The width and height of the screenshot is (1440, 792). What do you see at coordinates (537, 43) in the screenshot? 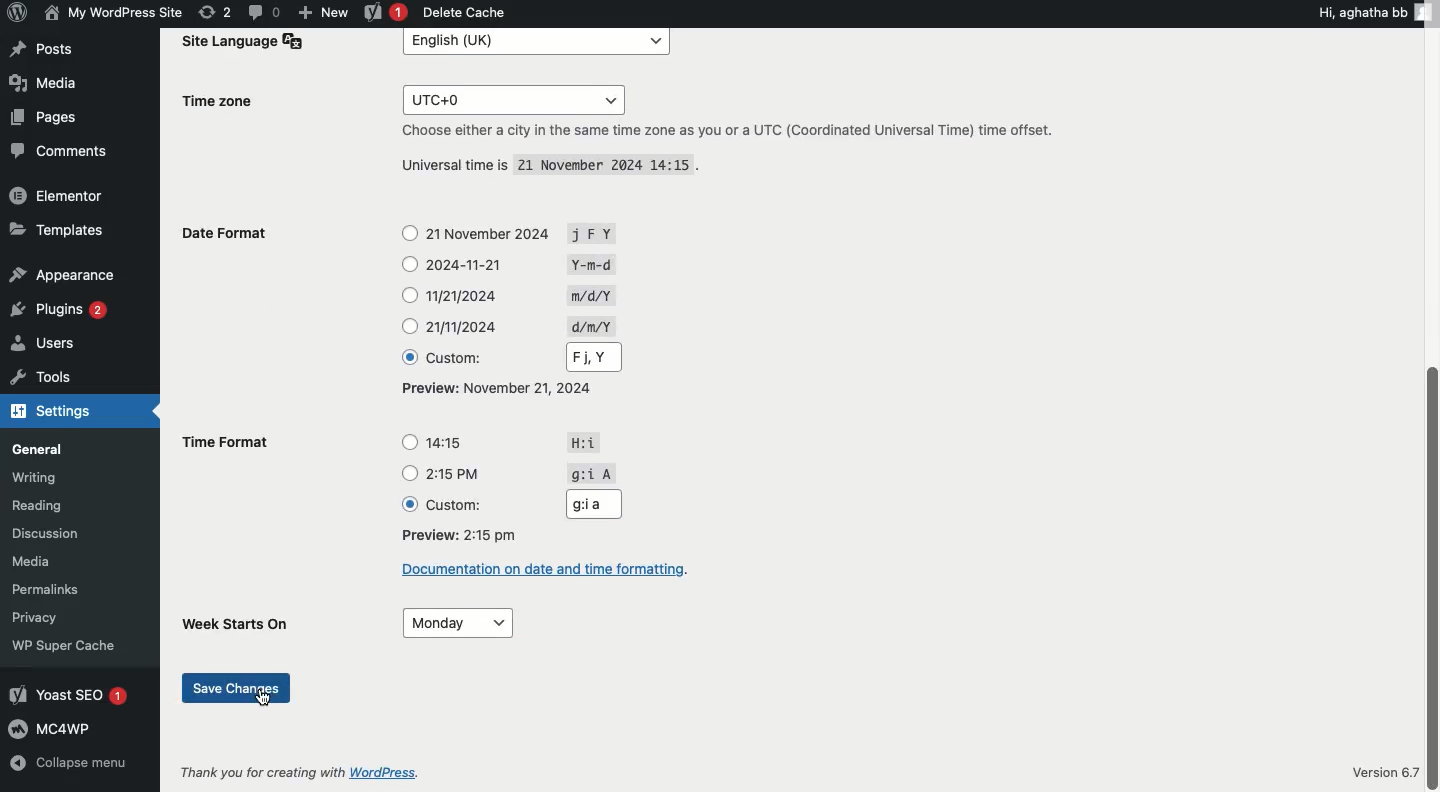
I see `English (UK)` at bounding box center [537, 43].